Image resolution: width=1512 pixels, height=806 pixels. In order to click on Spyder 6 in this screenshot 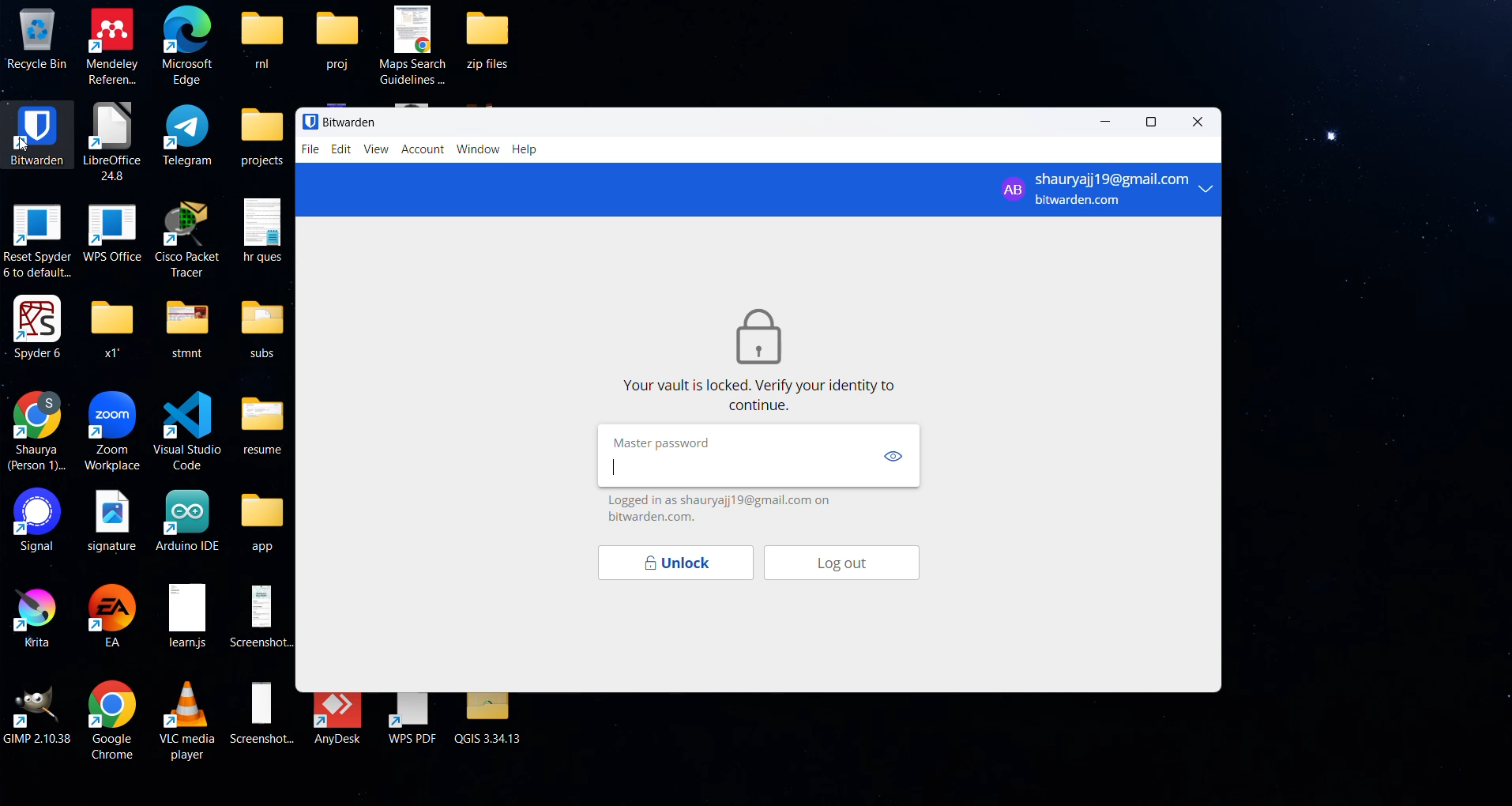, I will do `click(38, 326)`.